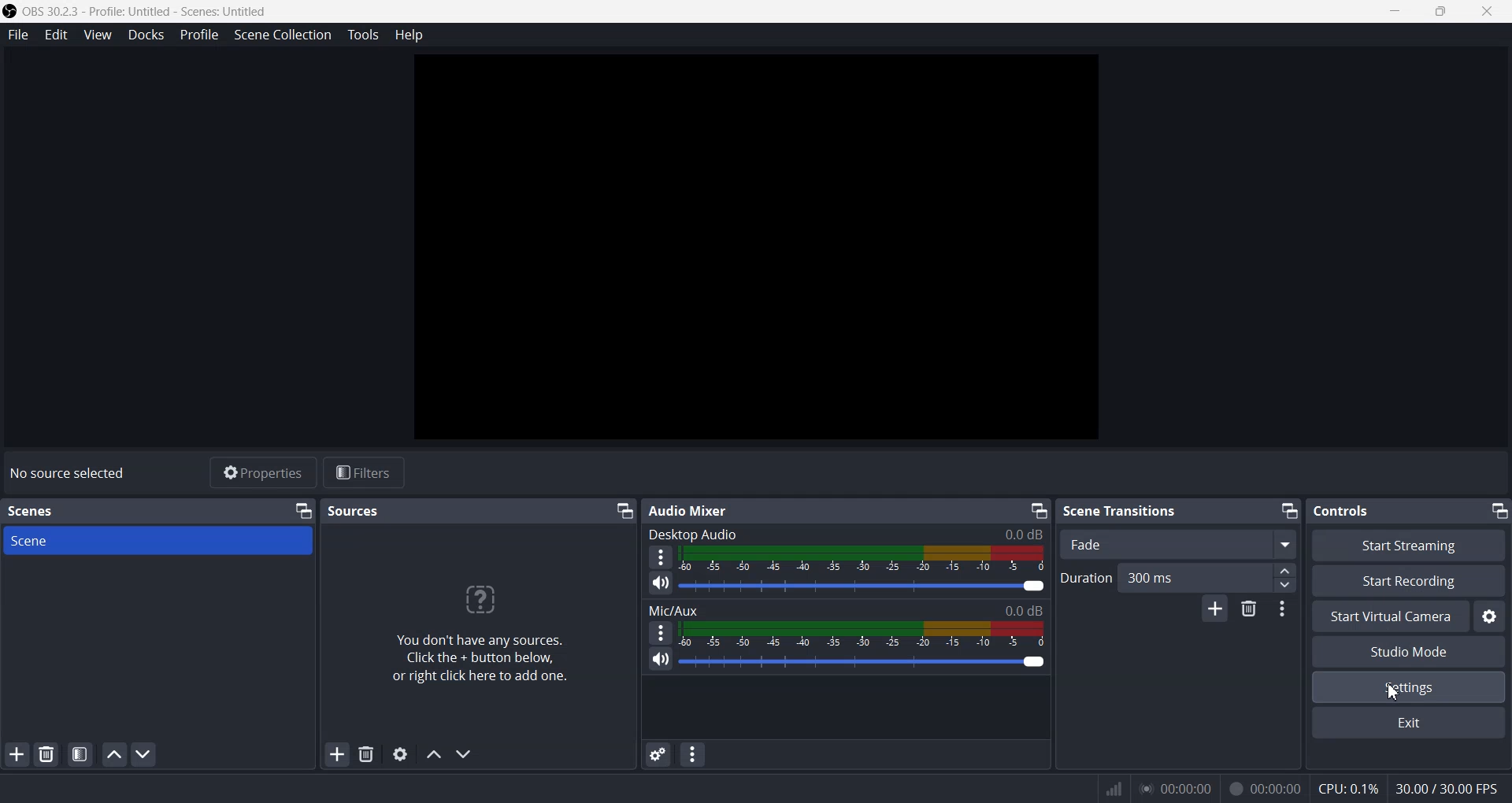 The height and width of the screenshot is (803, 1512). Describe the element at coordinates (1284, 609) in the screenshot. I see `Transition properties` at that location.